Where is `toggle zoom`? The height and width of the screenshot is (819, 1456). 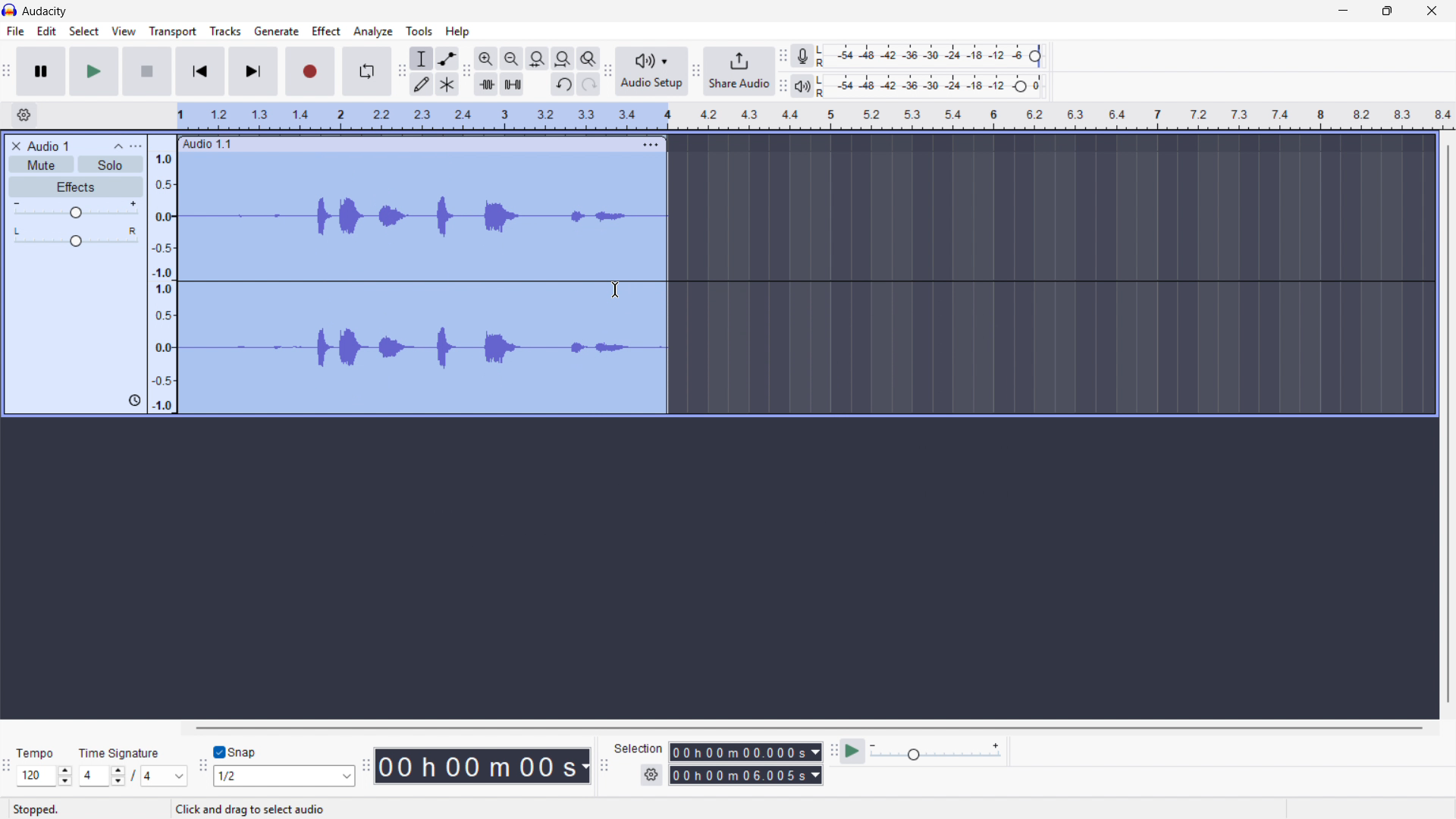 toggle zoom is located at coordinates (588, 58).